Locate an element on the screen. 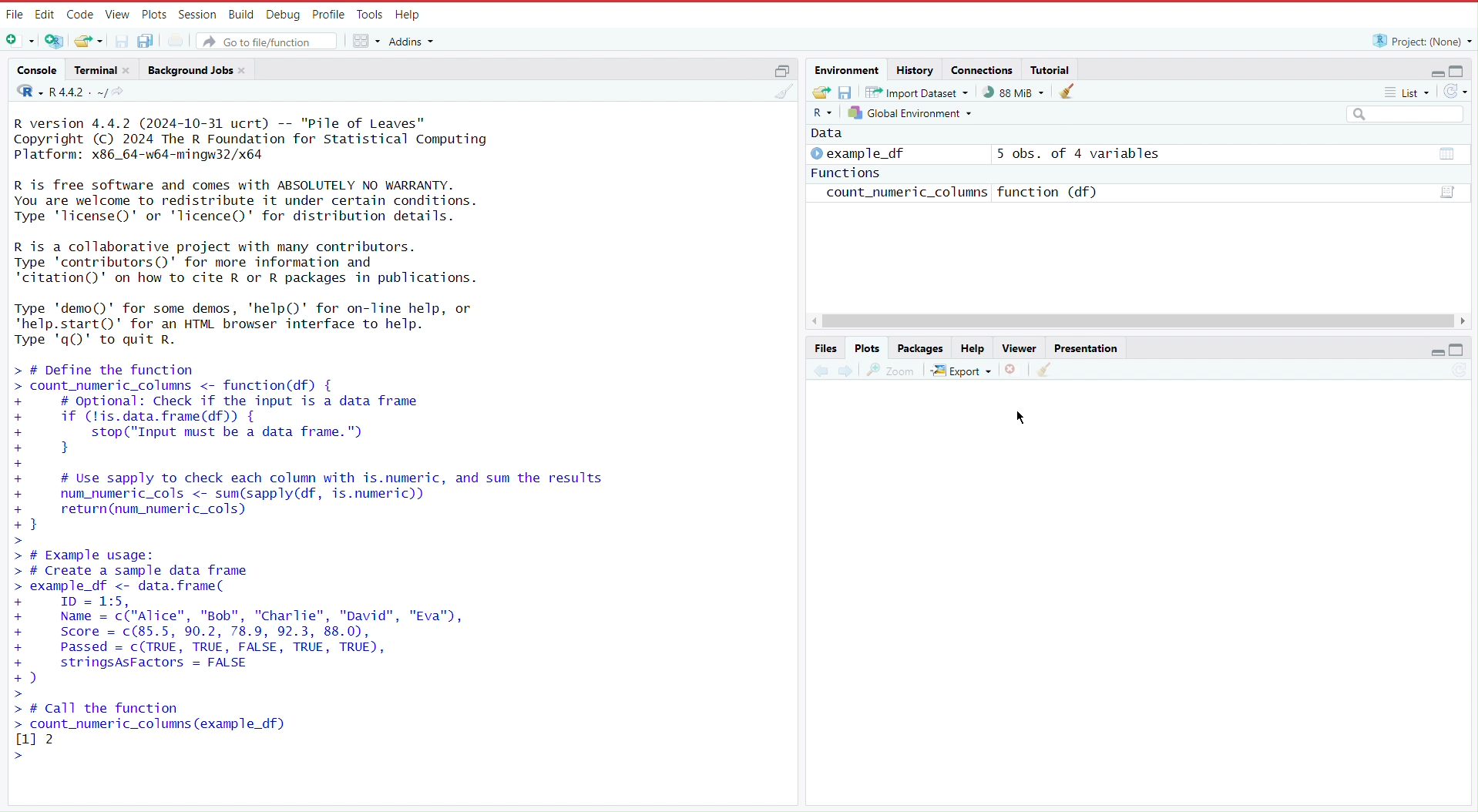 The image size is (1478, 812). Help is located at coordinates (408, 15).